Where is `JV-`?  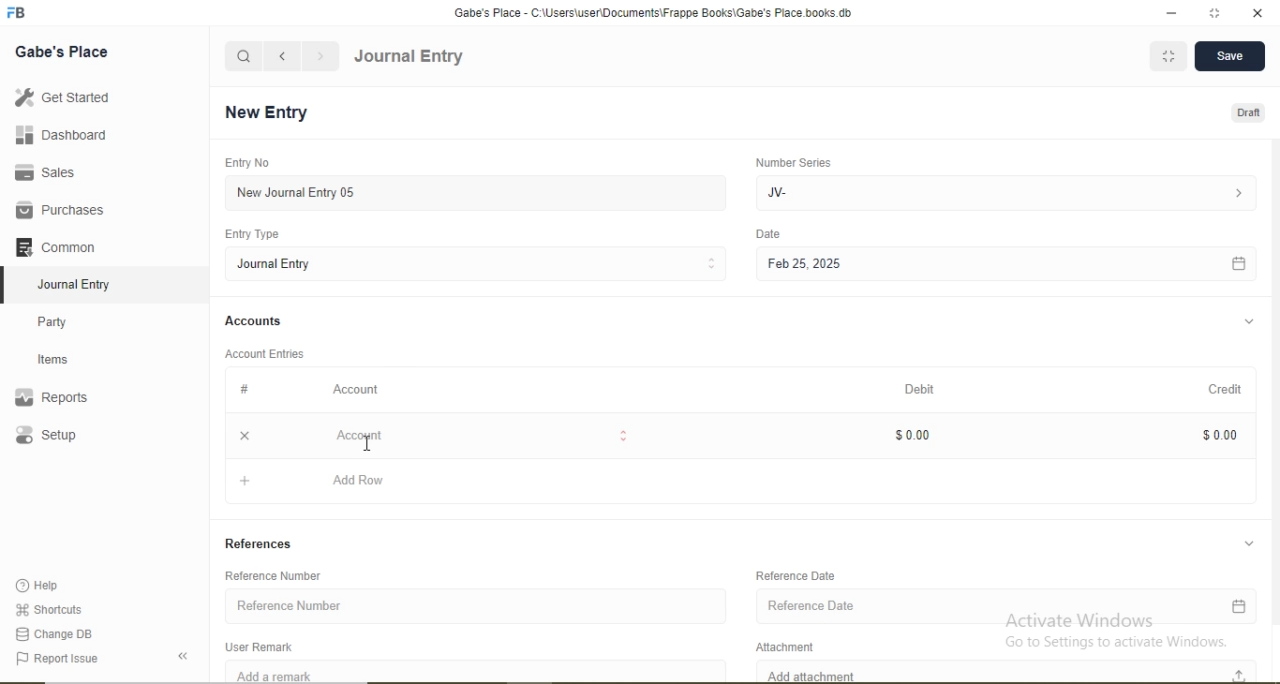
JV- is located at coordinates (1003, 191).